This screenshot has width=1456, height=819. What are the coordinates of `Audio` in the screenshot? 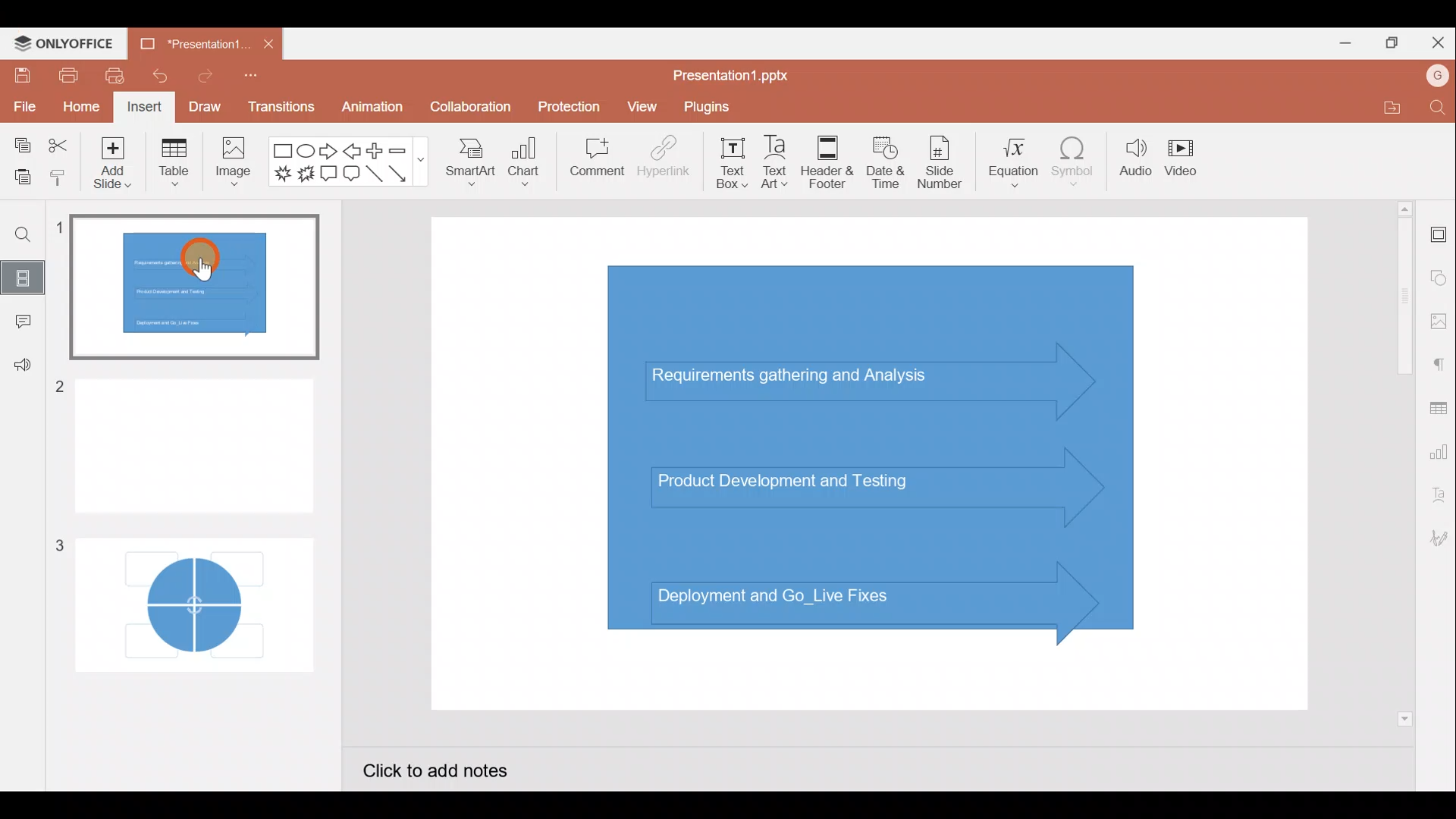 It's located at (1132, 163).